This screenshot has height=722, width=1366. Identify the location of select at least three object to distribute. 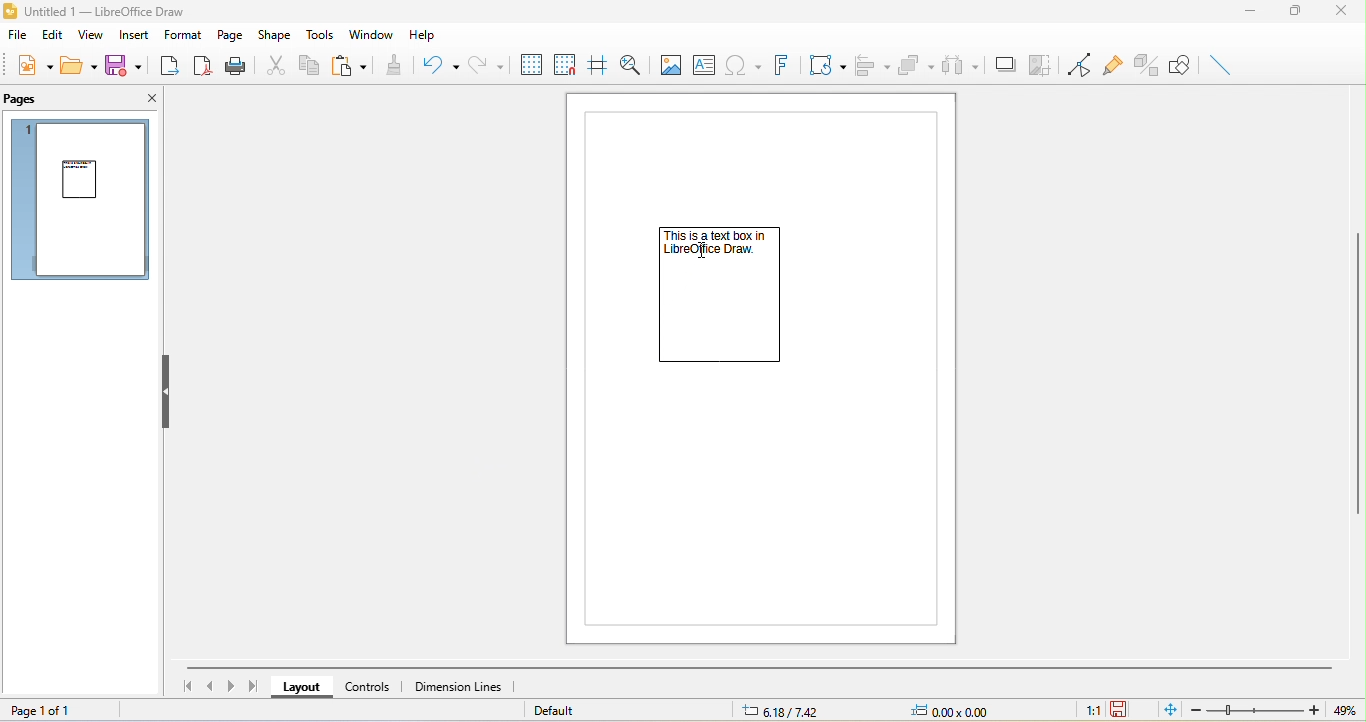
(959, 65).